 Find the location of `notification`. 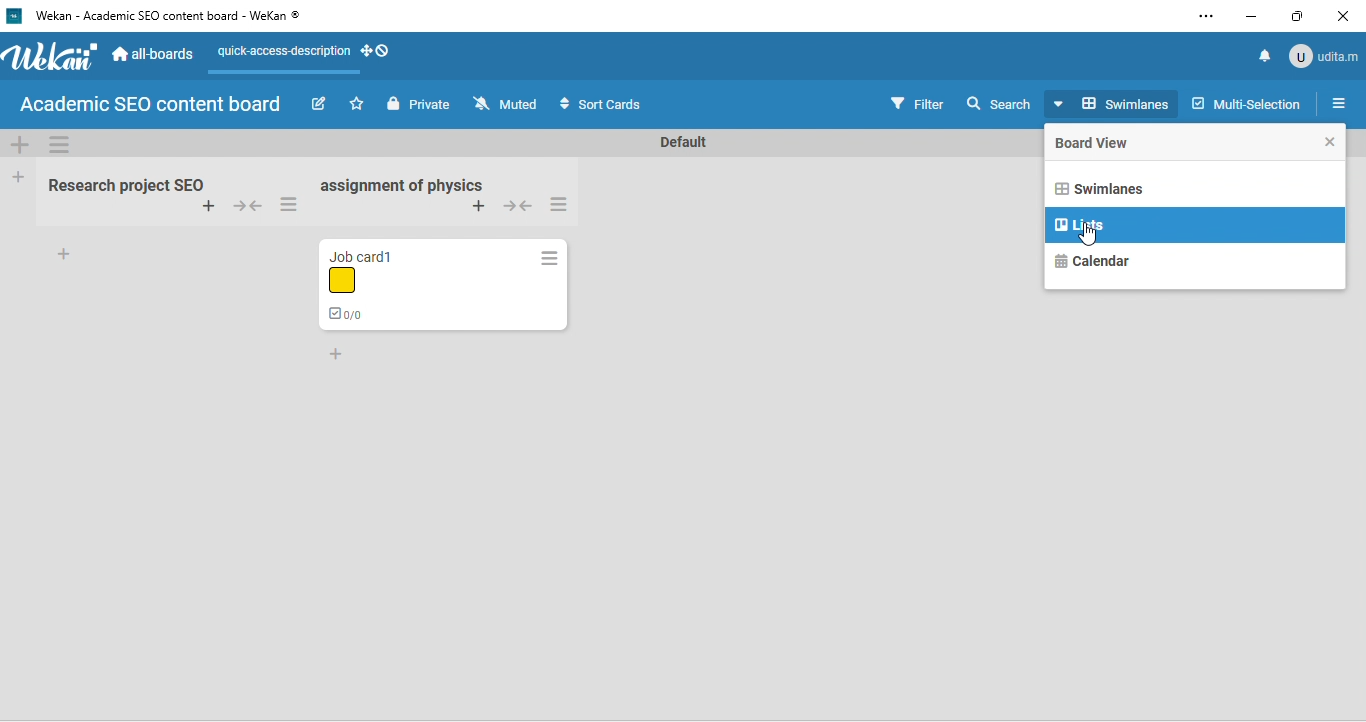

notification is located at coordinates (1267, 55).